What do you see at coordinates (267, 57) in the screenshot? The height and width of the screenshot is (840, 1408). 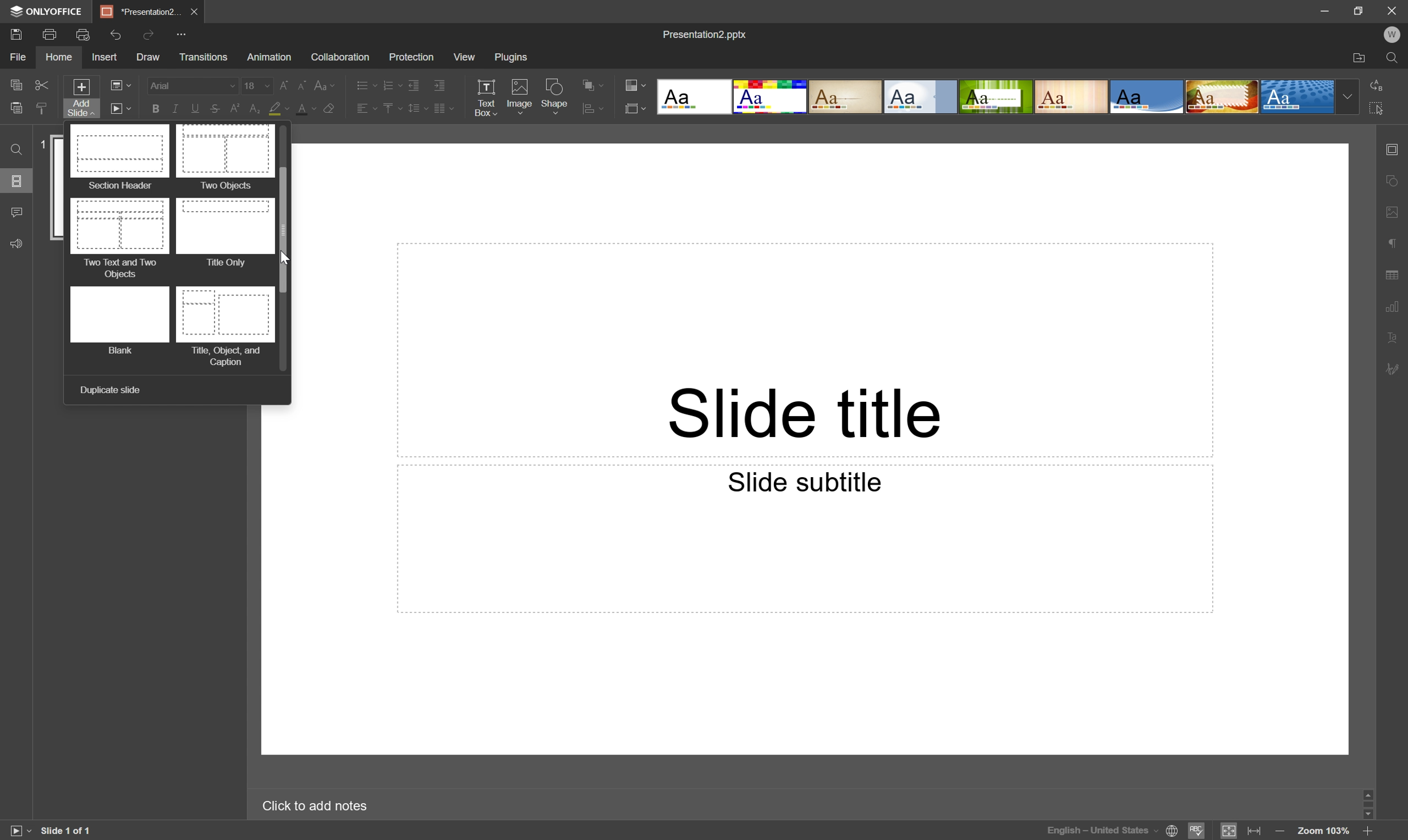 I see `Animation` at bounding box center [267, 57].